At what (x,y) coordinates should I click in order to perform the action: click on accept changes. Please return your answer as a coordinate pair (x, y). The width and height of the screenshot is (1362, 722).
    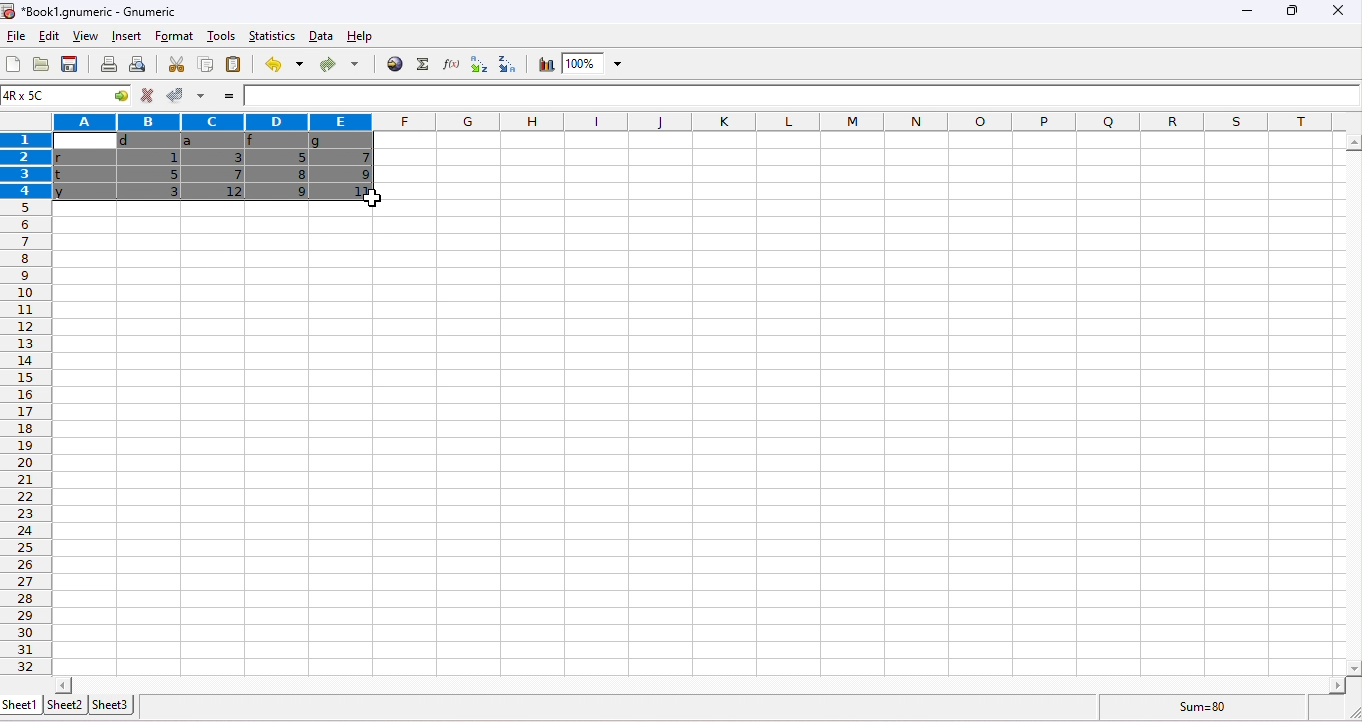
    Looking at the image, I should click on (176, 94).